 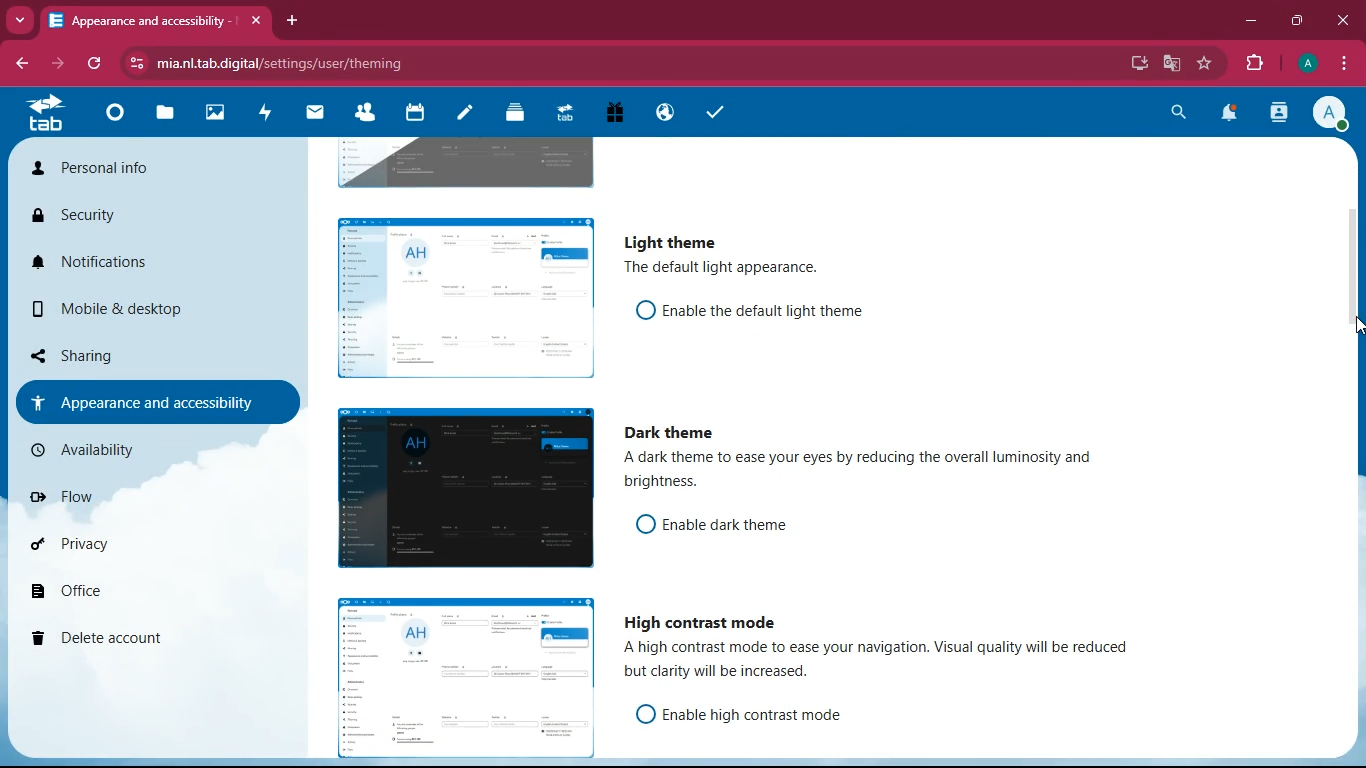 I want to click on favourite, so click(x=1206, y=65).